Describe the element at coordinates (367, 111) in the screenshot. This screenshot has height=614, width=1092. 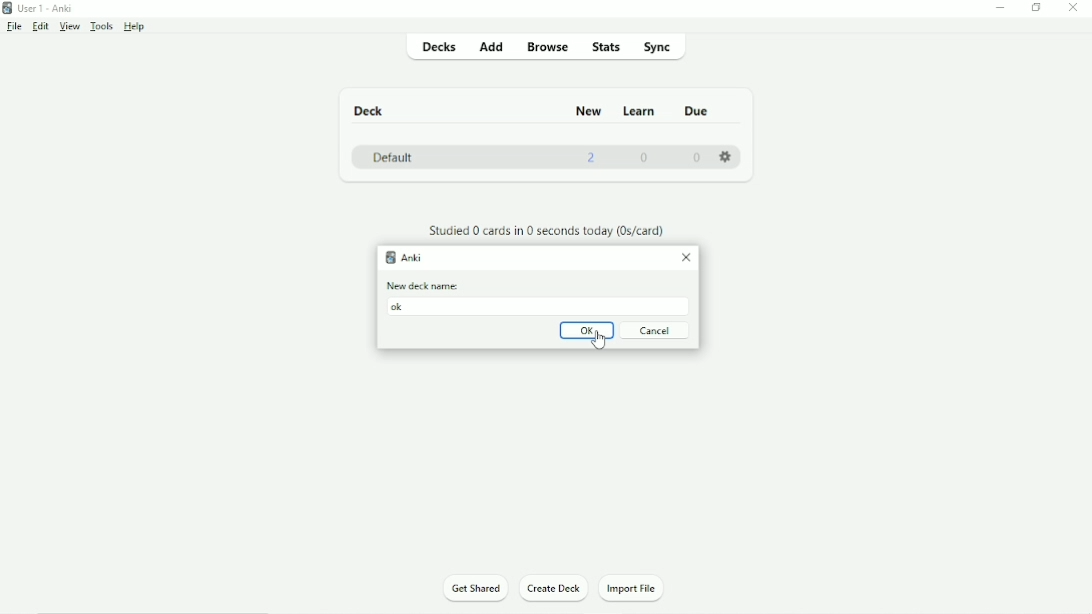
I see `Deck` at that location.